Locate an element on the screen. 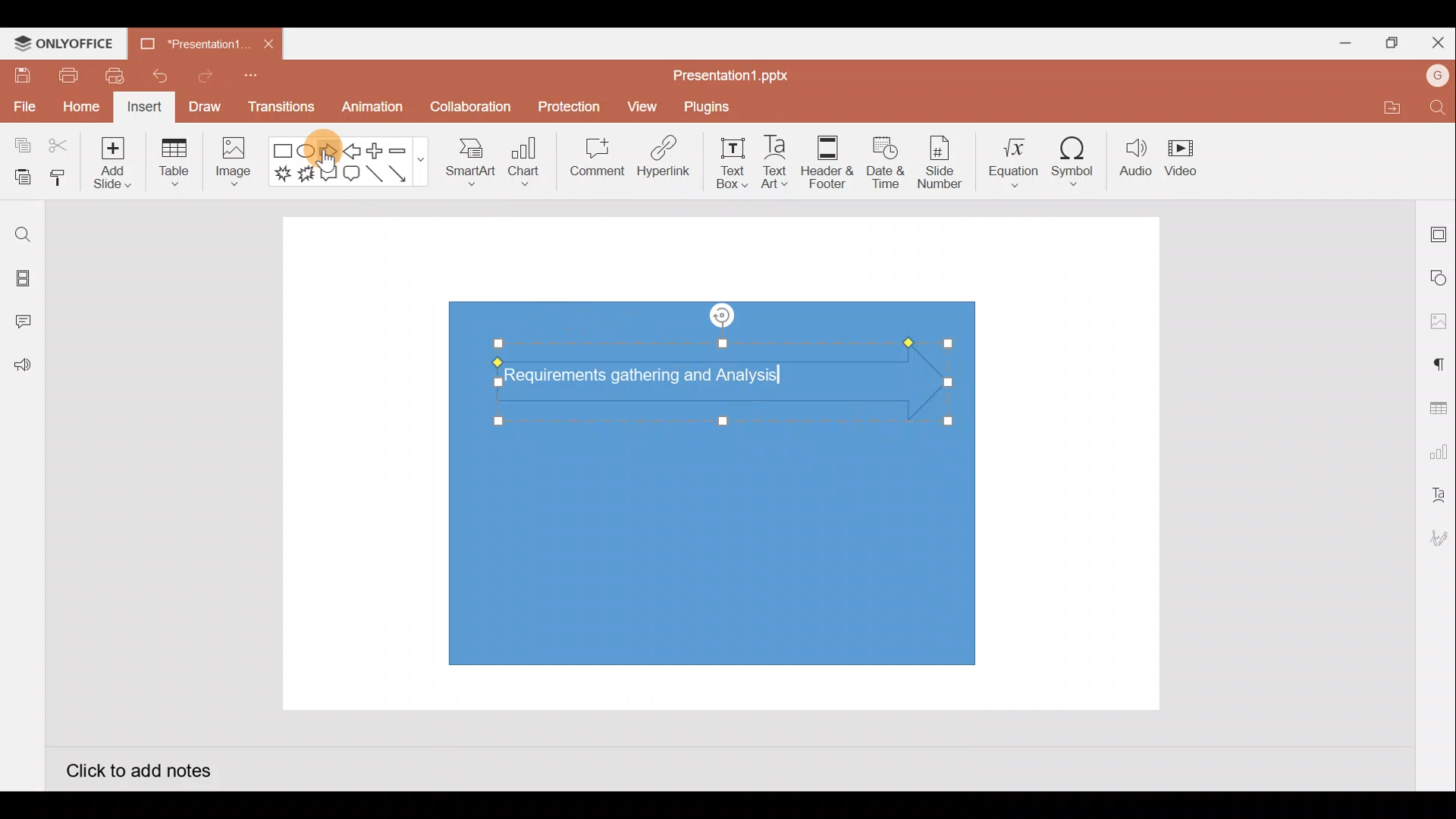 This screenshot has height=819, width=1456. Click to add notes is located at coordinates (138, 769).